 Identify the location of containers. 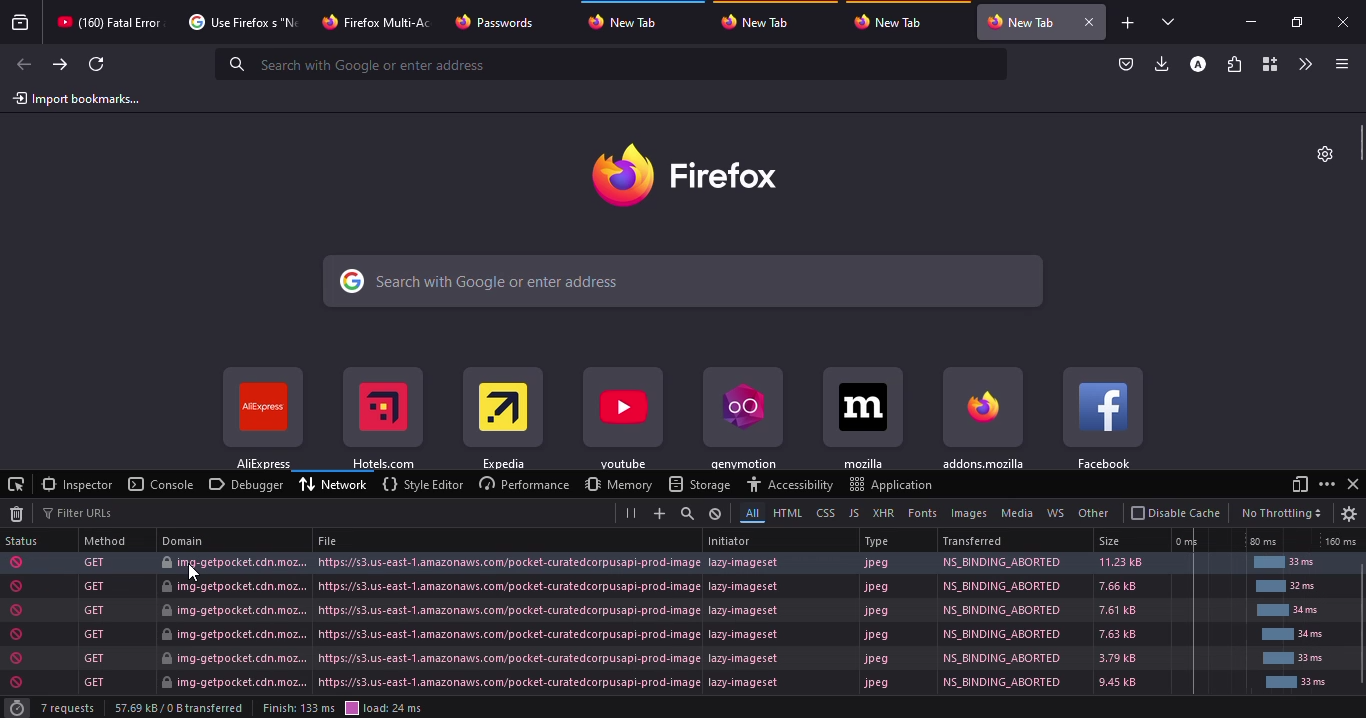
(1267, 63).